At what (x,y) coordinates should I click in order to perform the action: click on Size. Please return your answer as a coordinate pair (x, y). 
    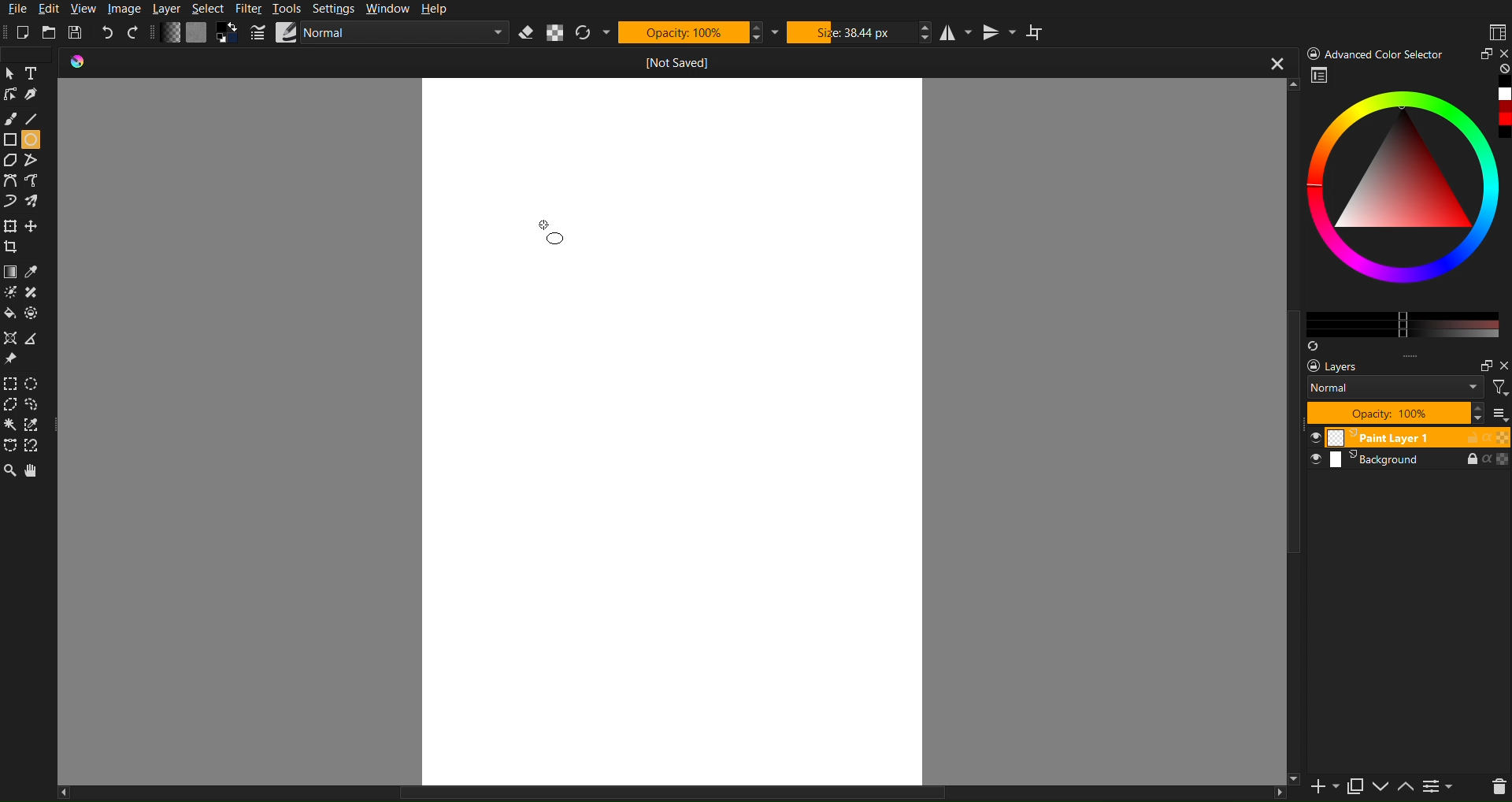
    Looking at the image, I should click on (855, 32).